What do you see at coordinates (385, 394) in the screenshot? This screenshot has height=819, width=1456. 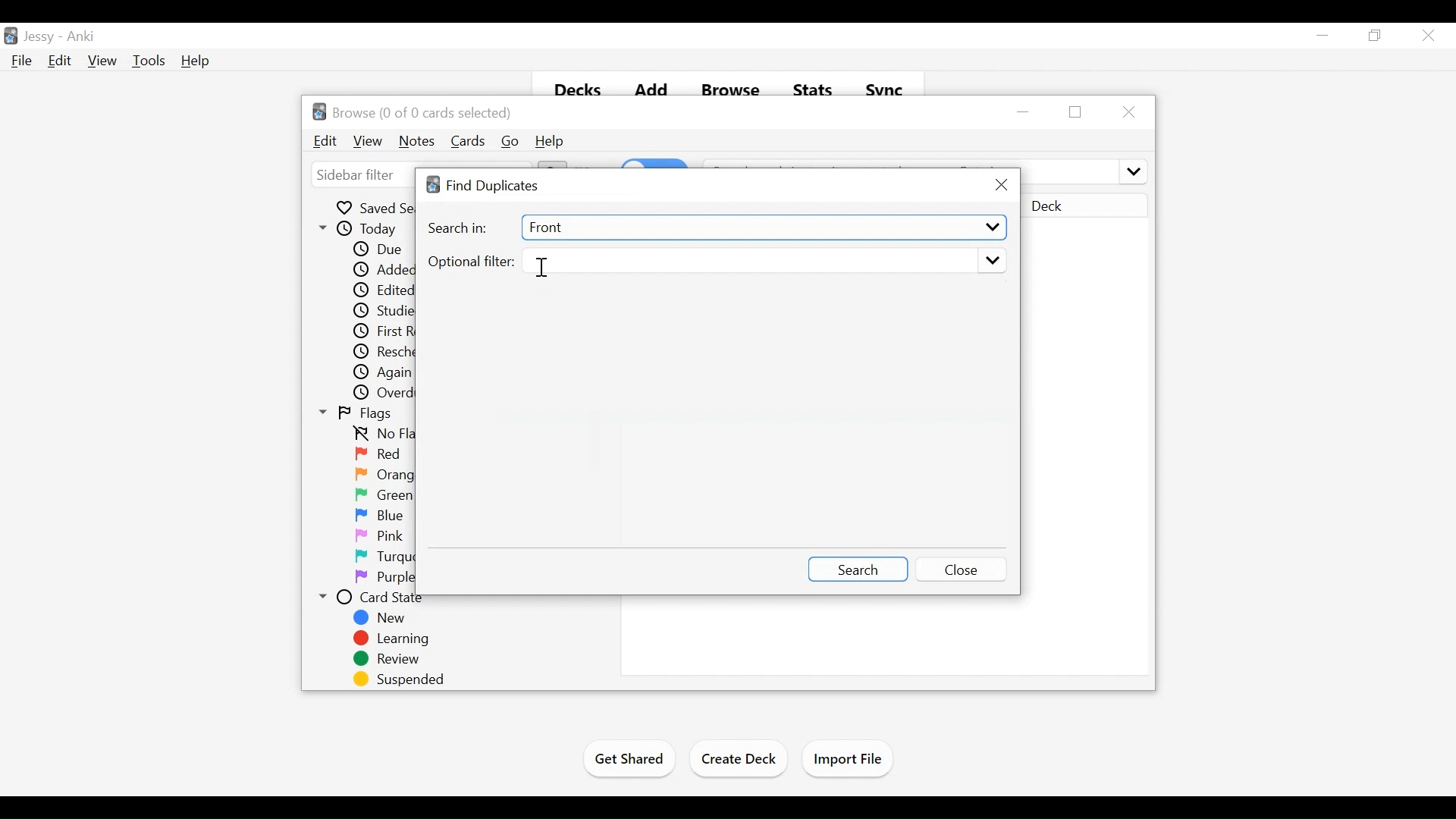 I see `Overdue` at bounding box center [385, 394].